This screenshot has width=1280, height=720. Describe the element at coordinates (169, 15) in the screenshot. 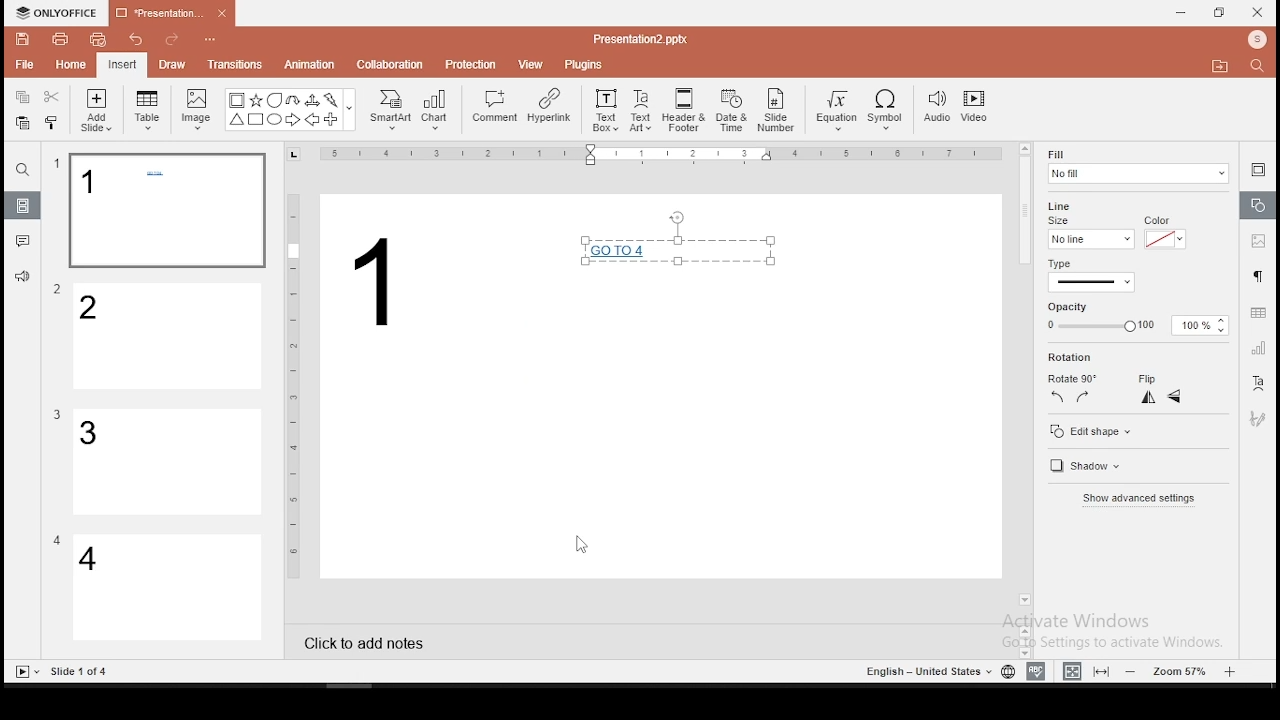

I see `presentation` at that location.